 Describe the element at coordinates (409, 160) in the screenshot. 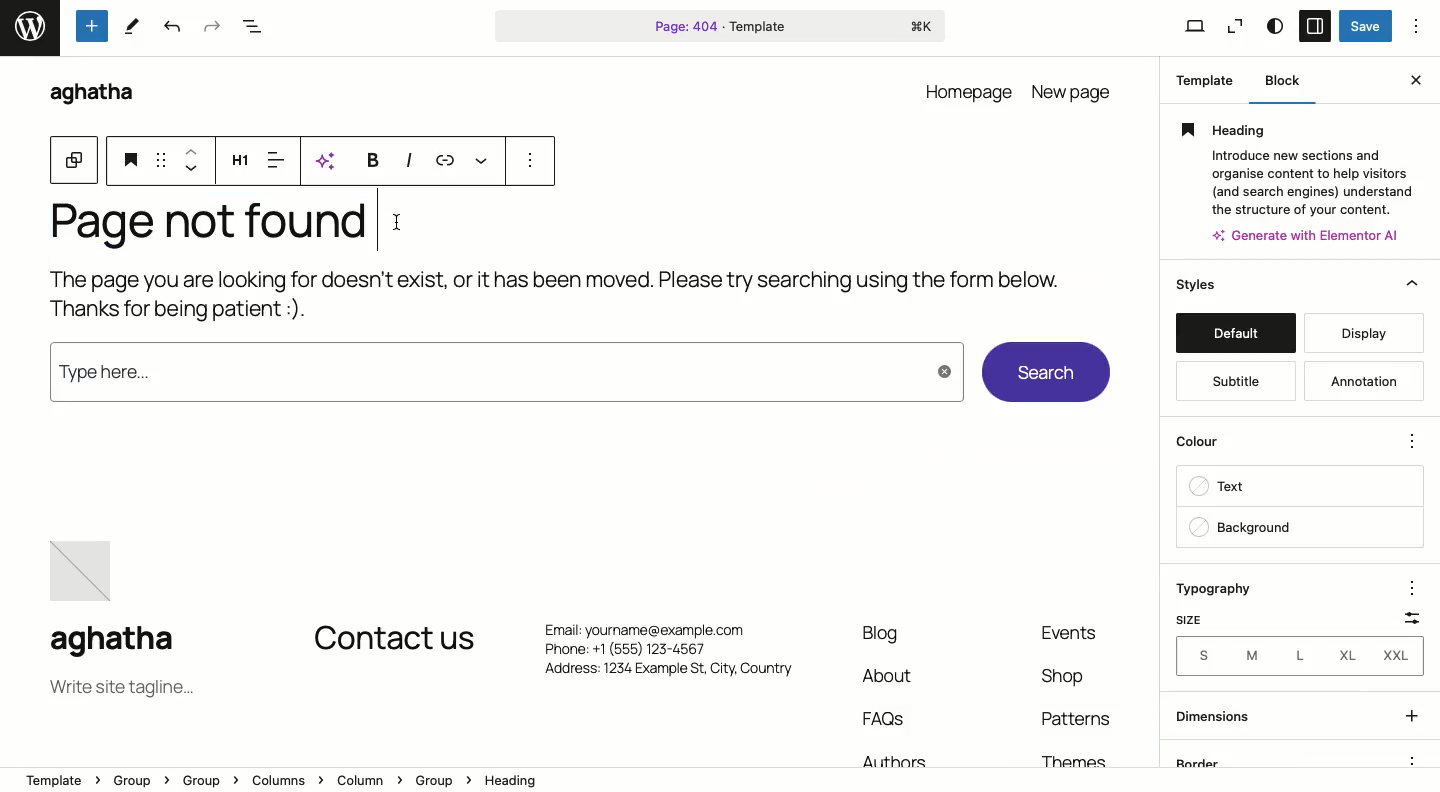

I see `Italics` at that location.